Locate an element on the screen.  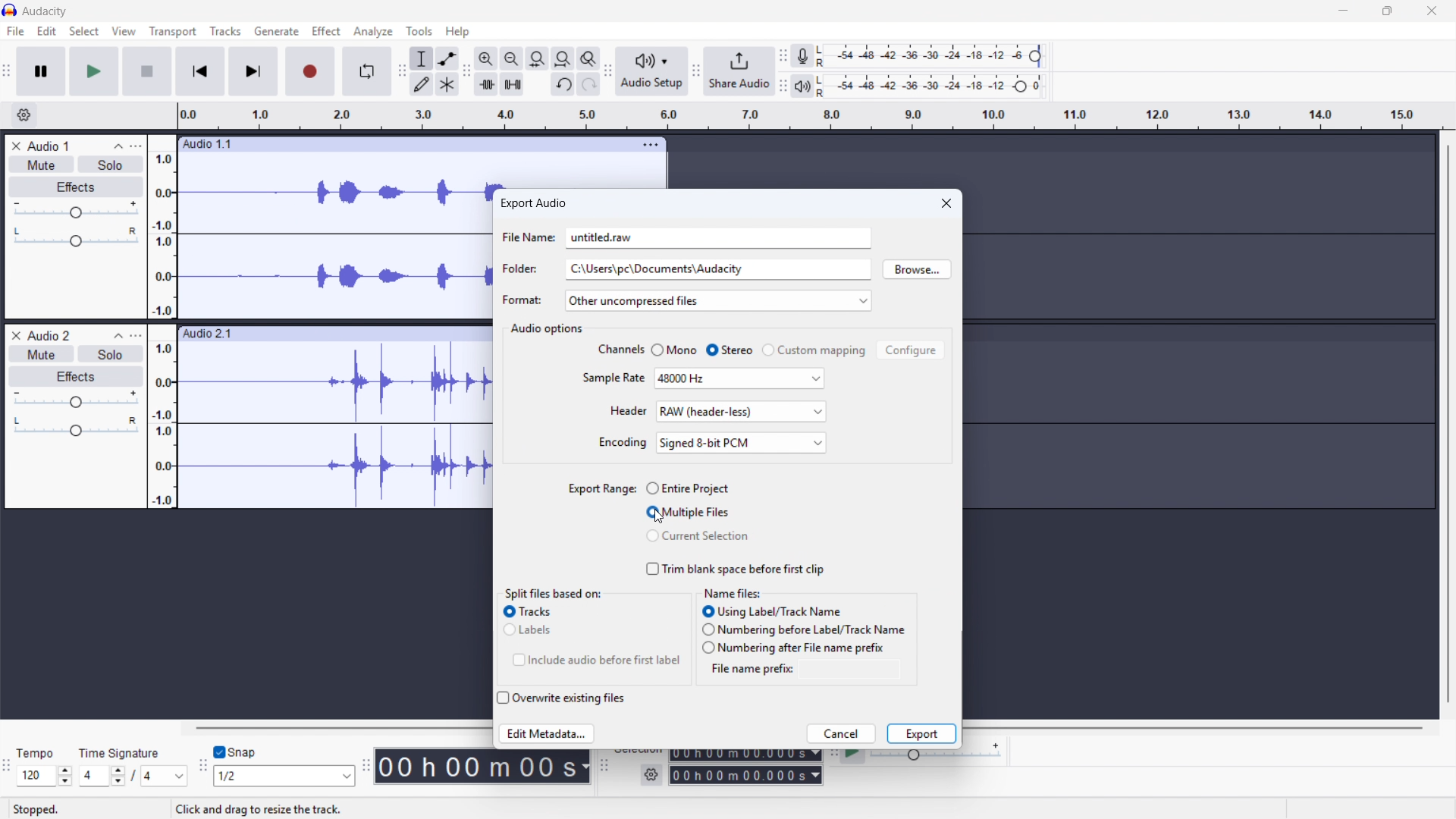
Audio setup toolbar is located at coordinates (608, 71).